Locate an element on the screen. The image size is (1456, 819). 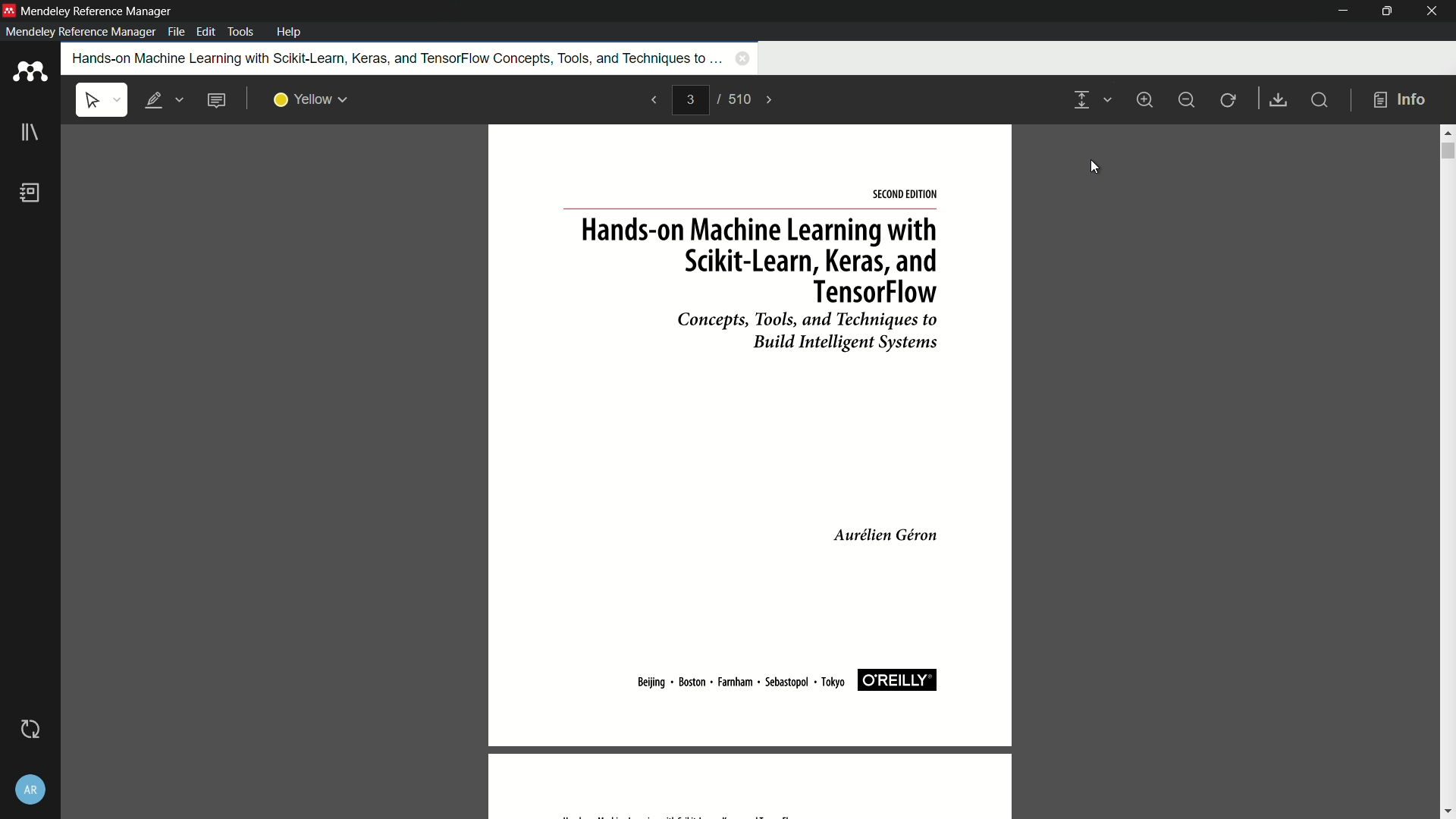
book name is located at coordinates (394, 58).